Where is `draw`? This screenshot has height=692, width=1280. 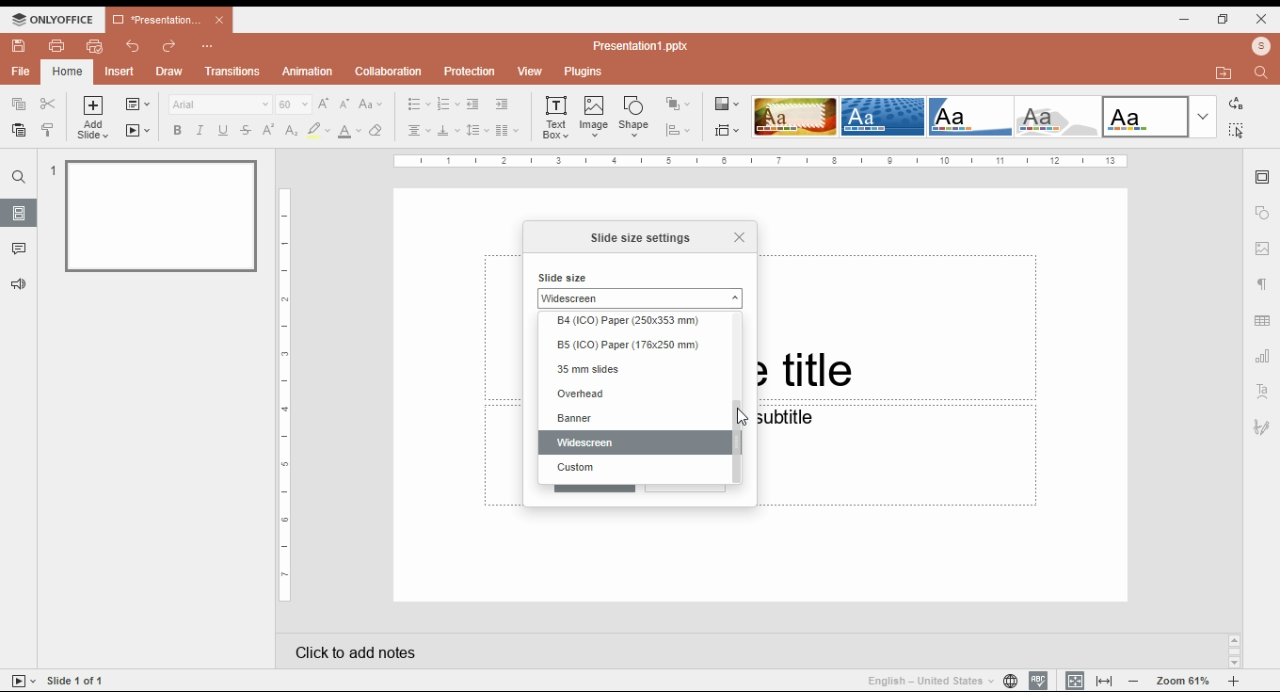
draw is located at coordinates (171, 71).